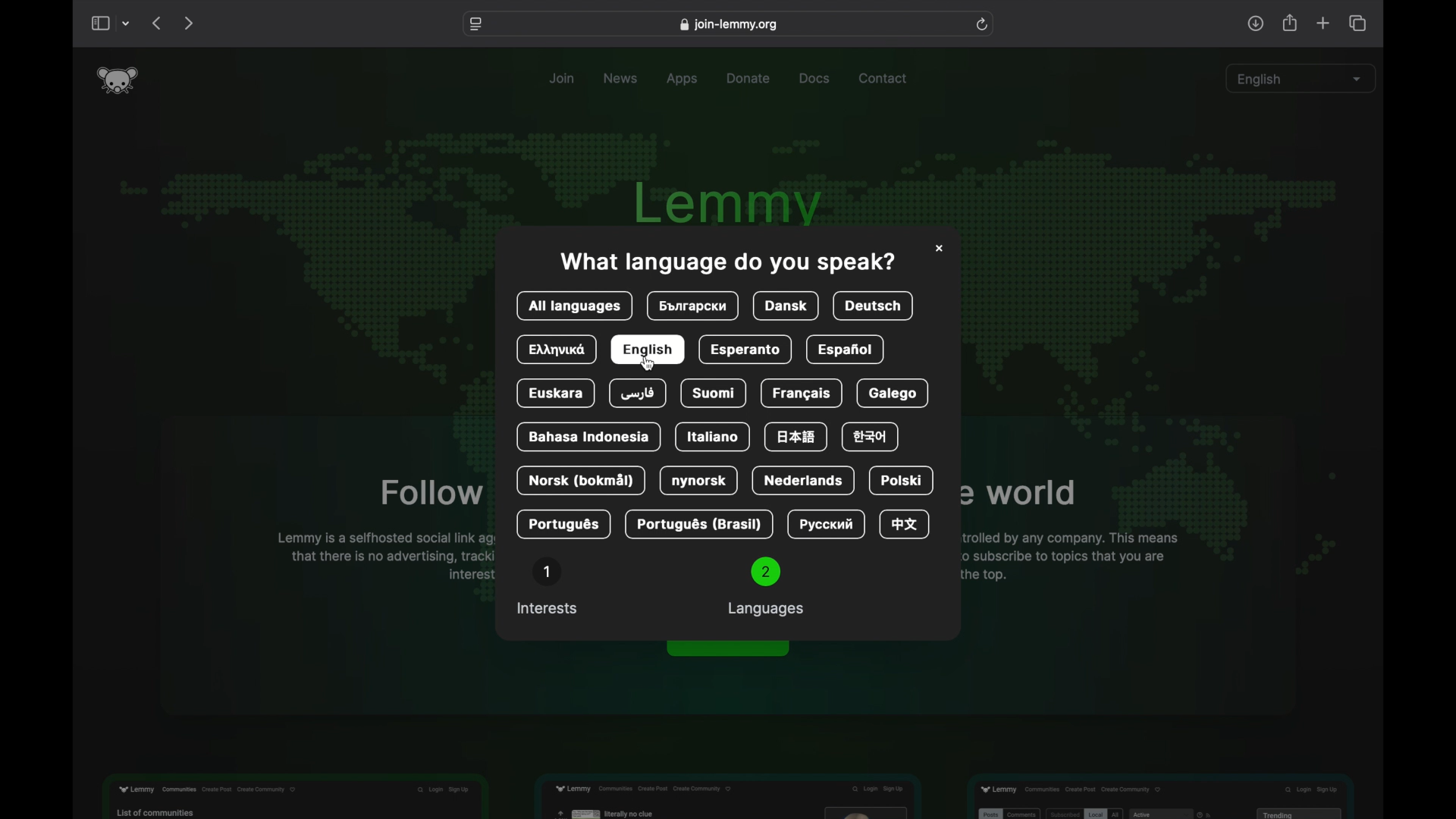 The height and width of the screenshot is (819, 1456). I want to click on all languages, so click(575, 306).